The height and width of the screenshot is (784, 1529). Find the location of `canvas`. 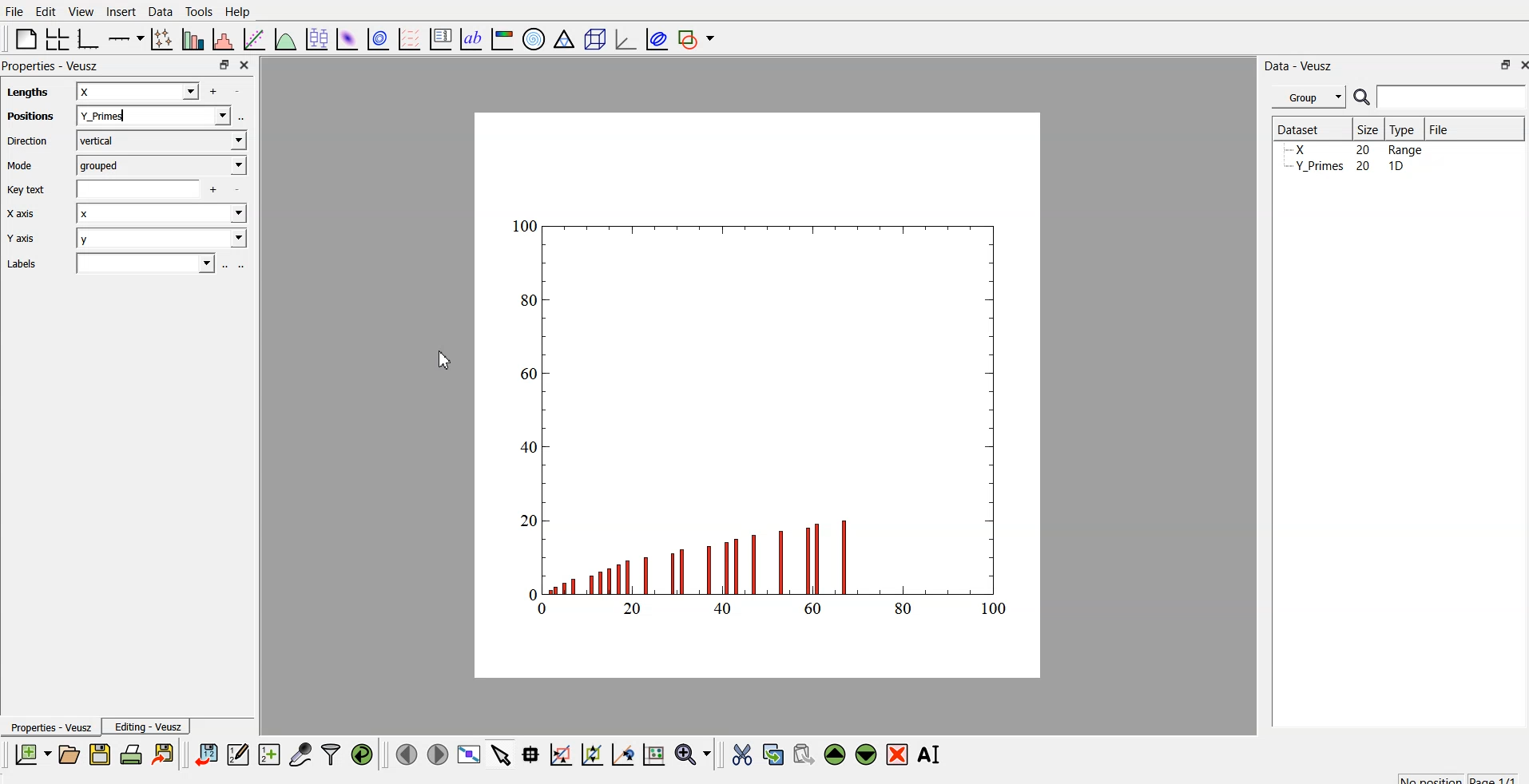

canvas is located at coordinates (757, 396).